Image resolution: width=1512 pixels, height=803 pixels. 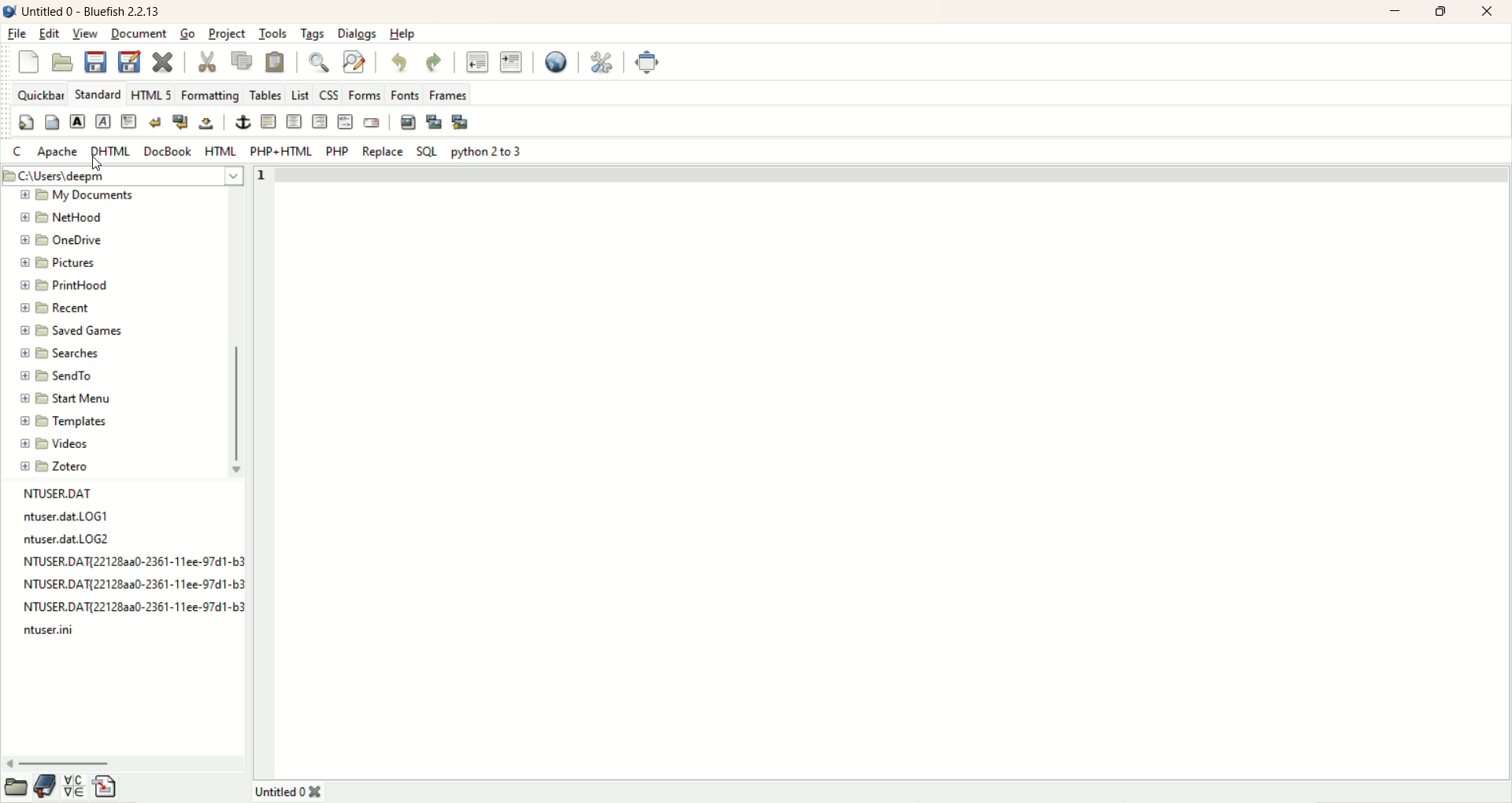 What do you see at coordinates (96, 61) in the screenshot?
I see `save cuurent file` at bounding box center [96, 61].